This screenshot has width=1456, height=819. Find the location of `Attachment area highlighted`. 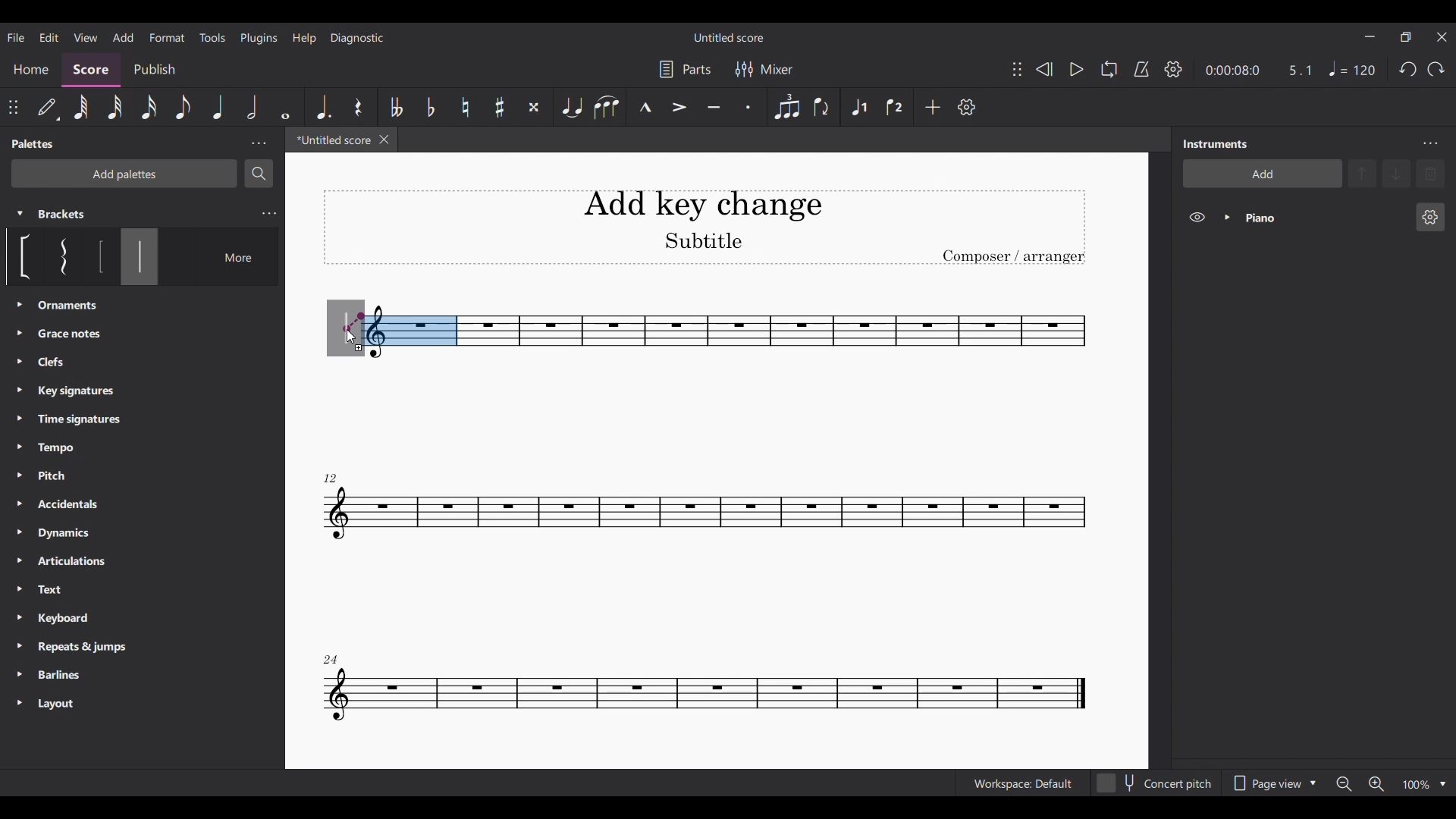

Attachment area highlighted is located at coordinates (412, 331).